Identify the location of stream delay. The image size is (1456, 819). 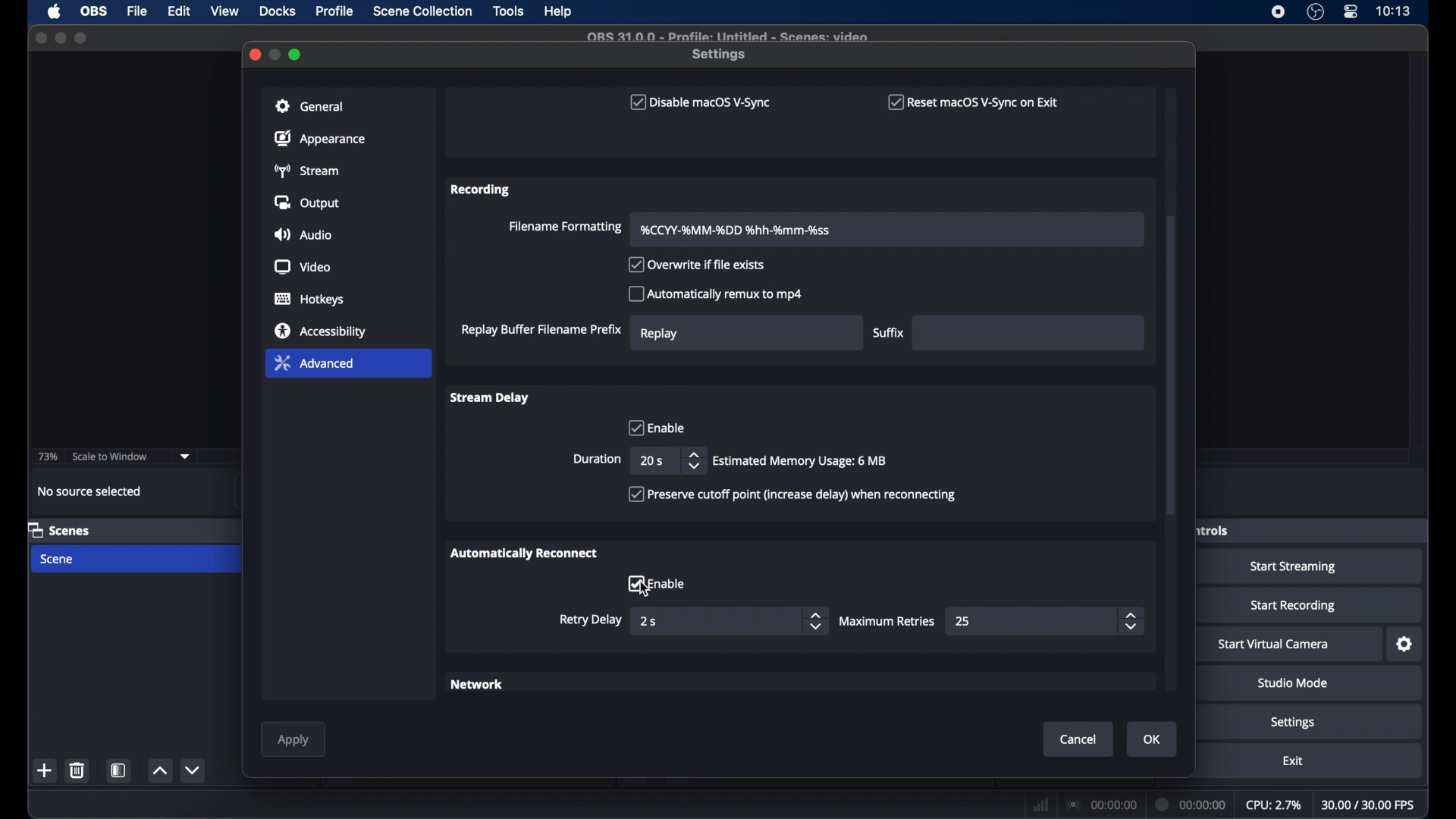
(488, 397).